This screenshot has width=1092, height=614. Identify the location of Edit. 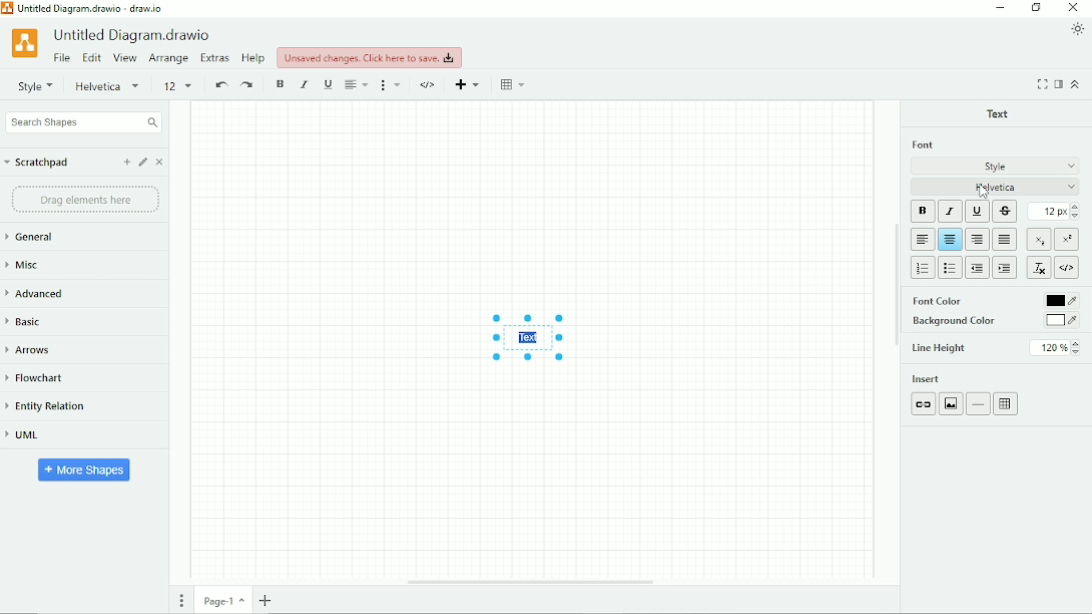
(143, 162).